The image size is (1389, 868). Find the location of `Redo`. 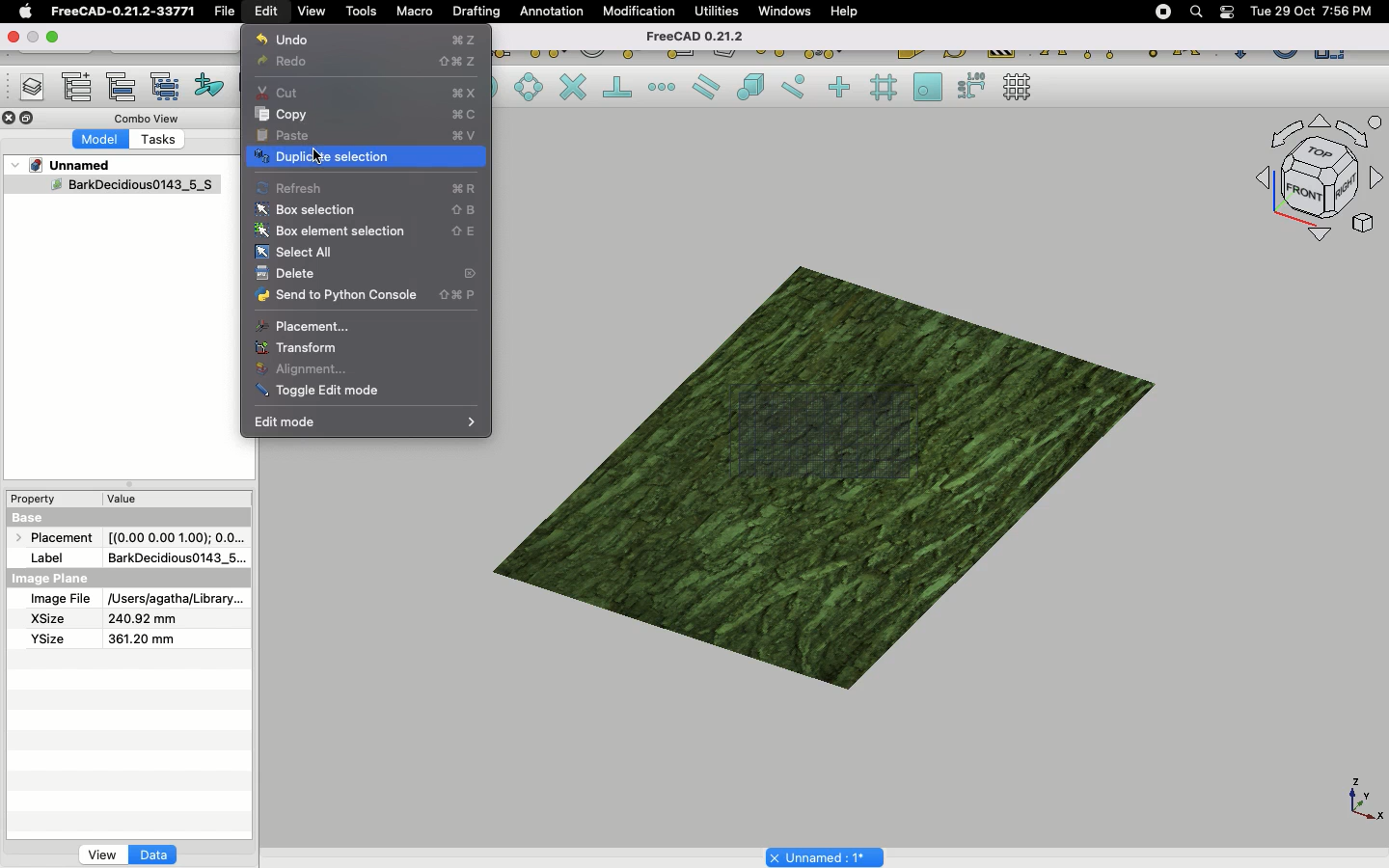

Redo is located at coordinates (372, 64).